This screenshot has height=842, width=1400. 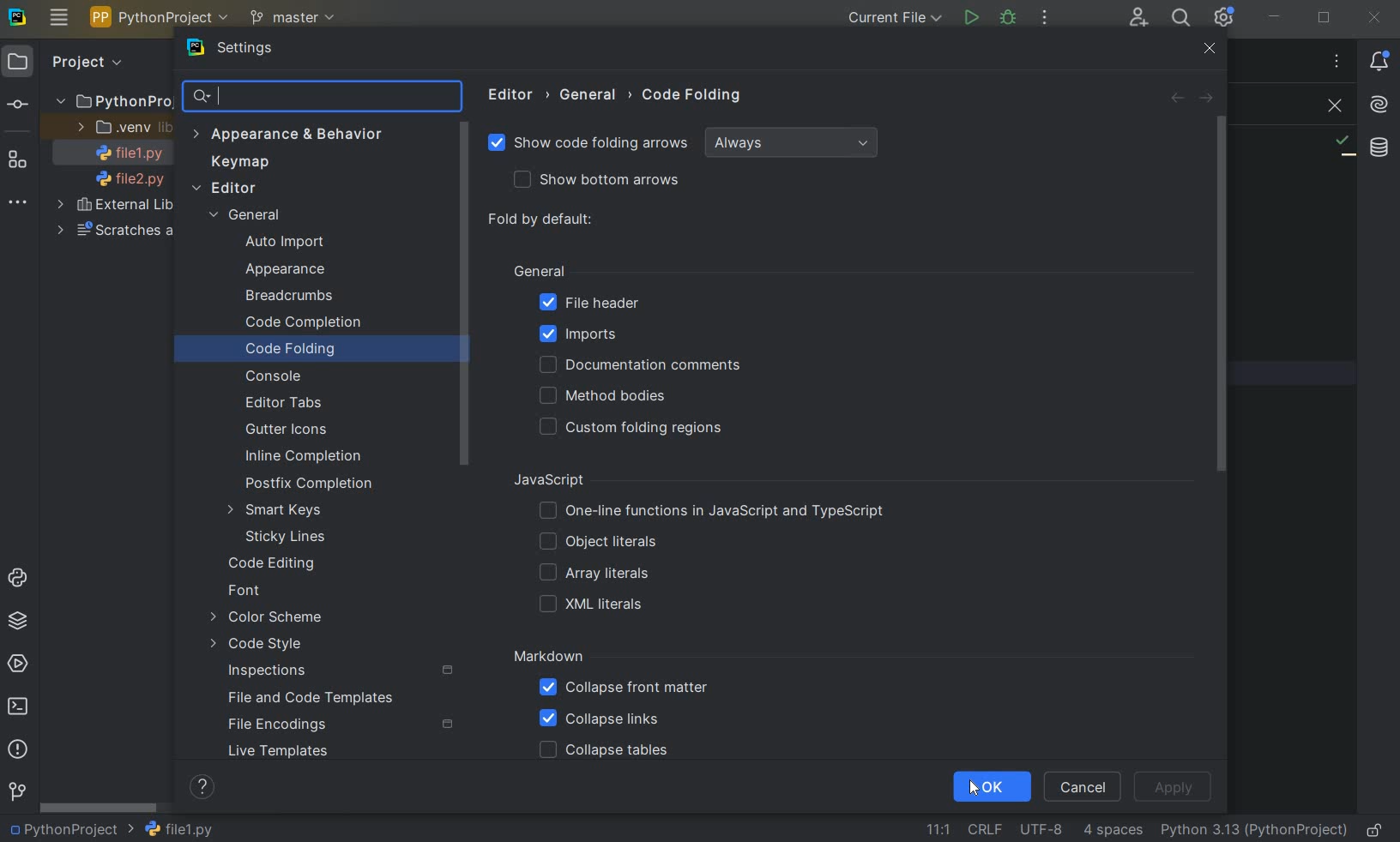 What do you see at coordinates (1378, 830) in the screenshot?
I see `MAKE FILE READY ONLY` at bounding box center [1378, 830].